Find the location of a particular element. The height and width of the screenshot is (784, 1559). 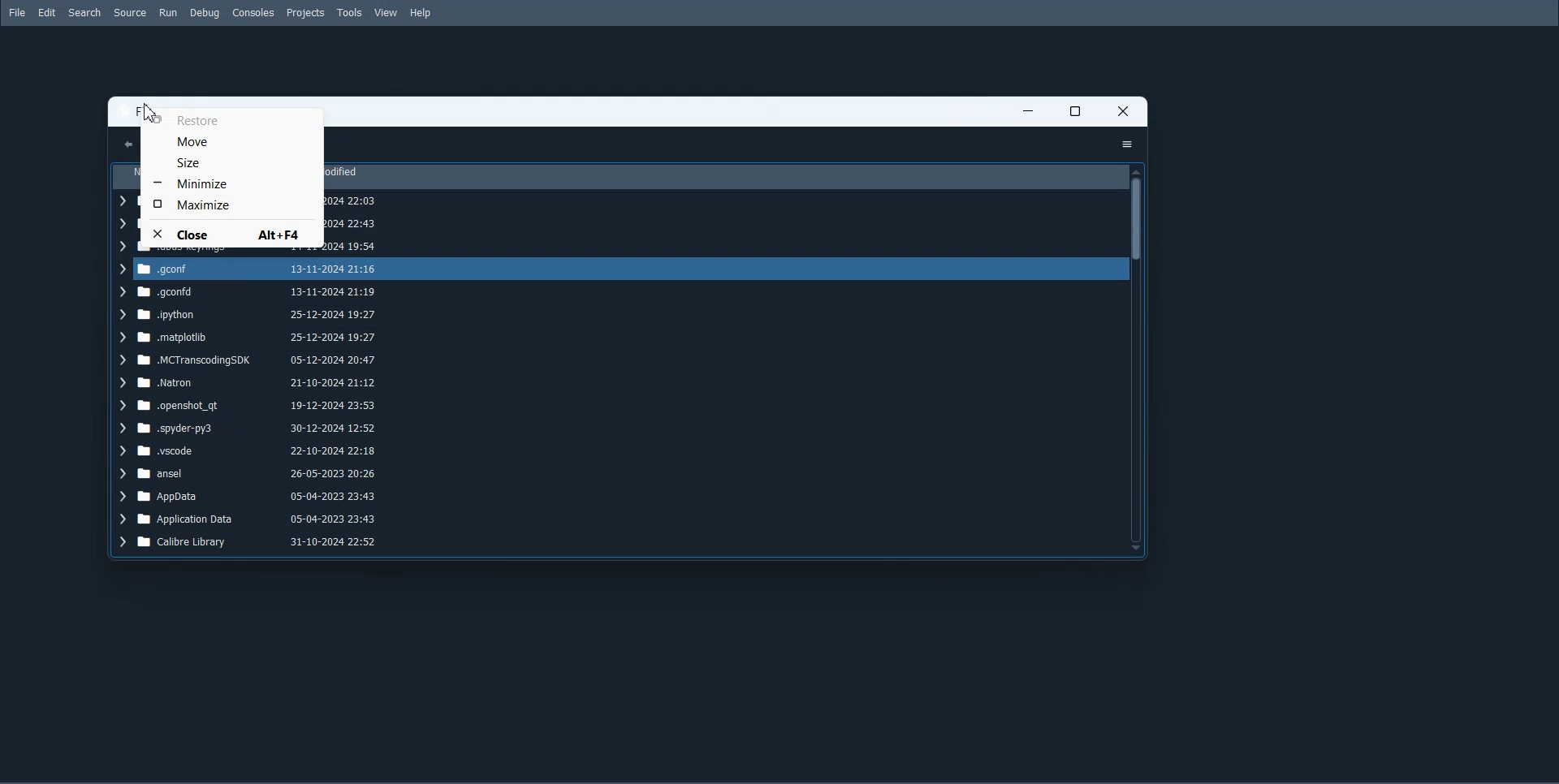

-spyder-py3 30-12-2024 12:52 is located at coordinates (250, 431).